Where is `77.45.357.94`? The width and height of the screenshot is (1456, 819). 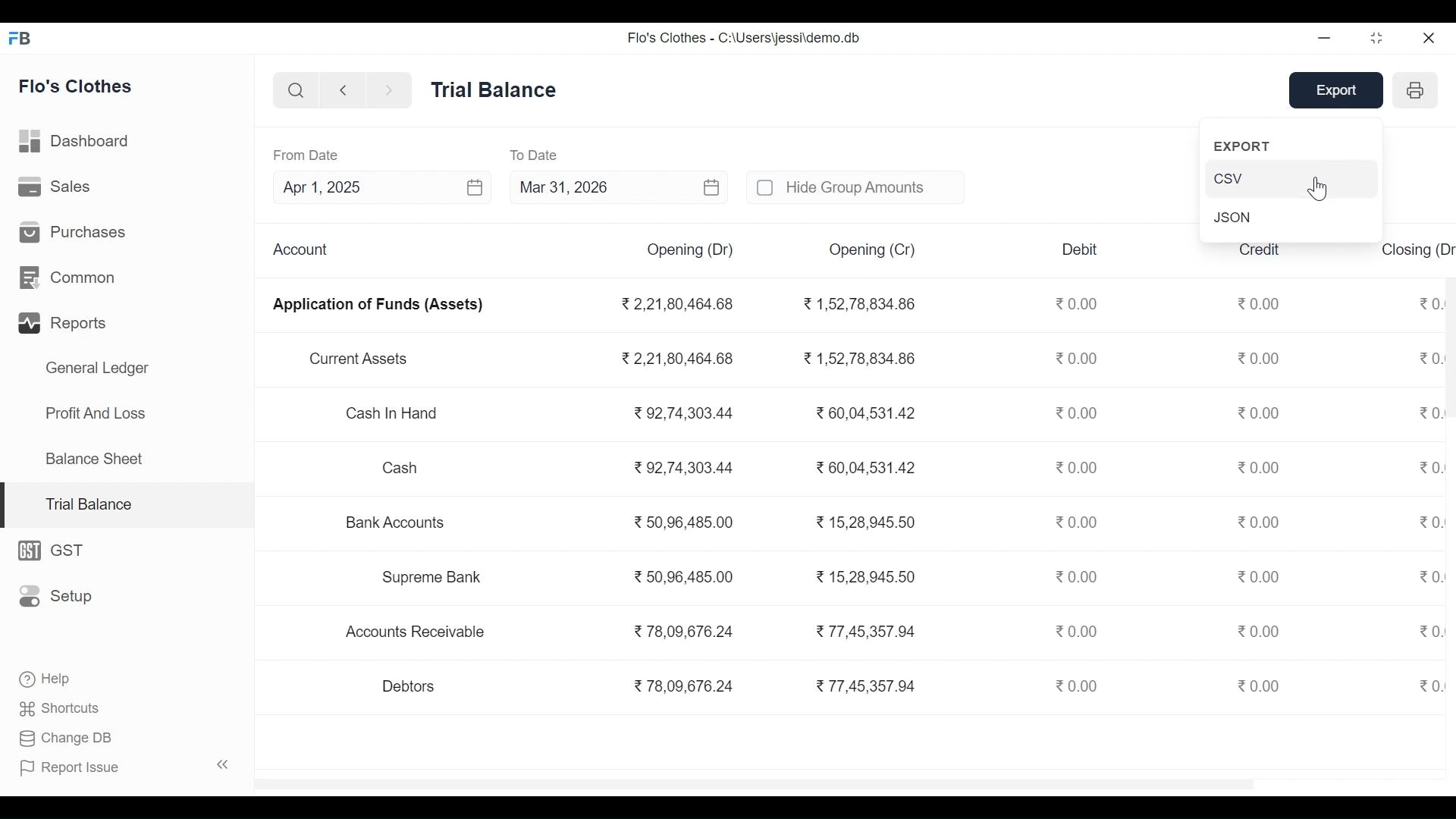 77.45.357.94 is located at coordinates (863, 629).